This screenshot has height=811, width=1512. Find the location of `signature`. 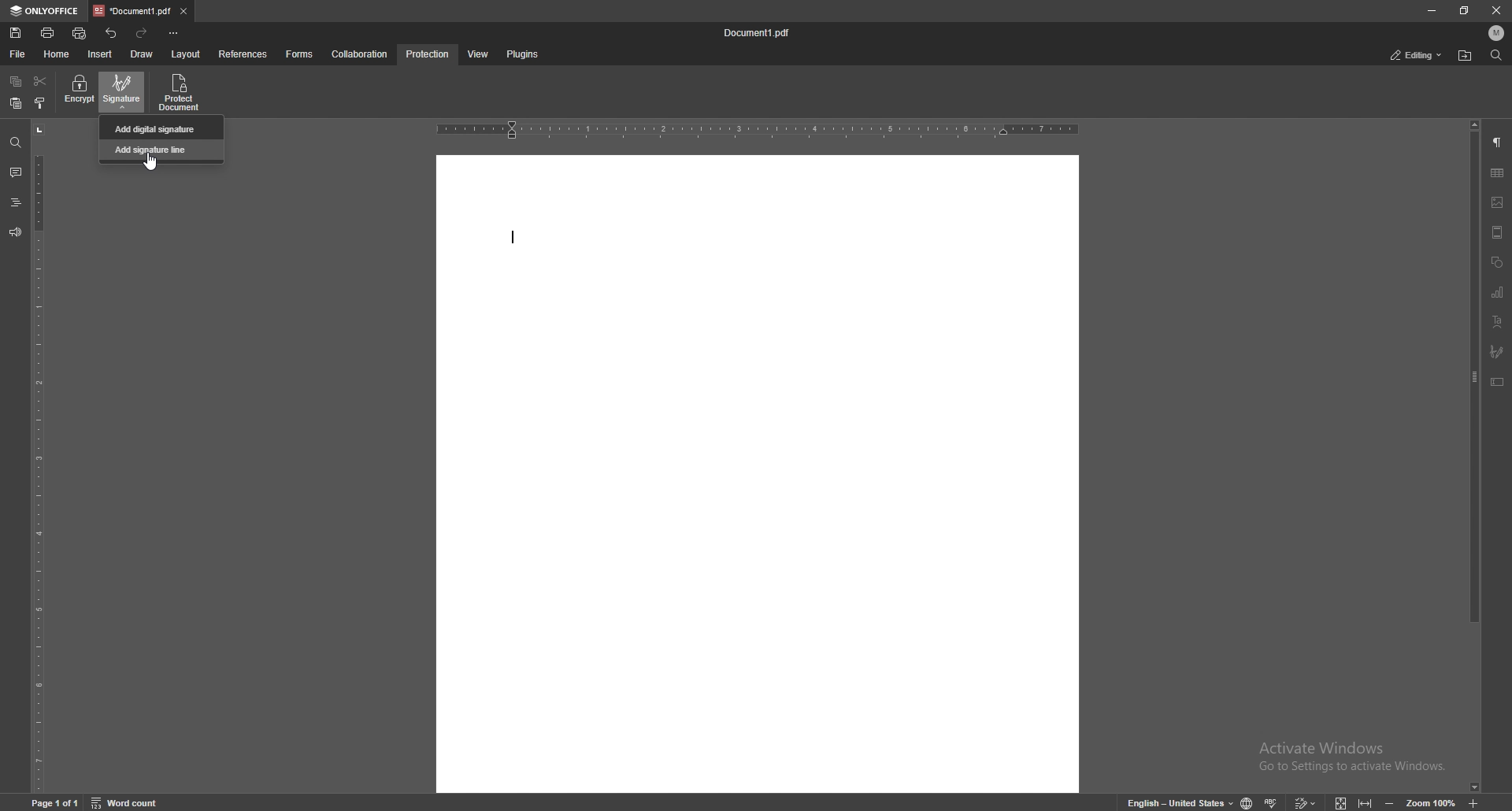

signature is located at coordinates (1497, 352).